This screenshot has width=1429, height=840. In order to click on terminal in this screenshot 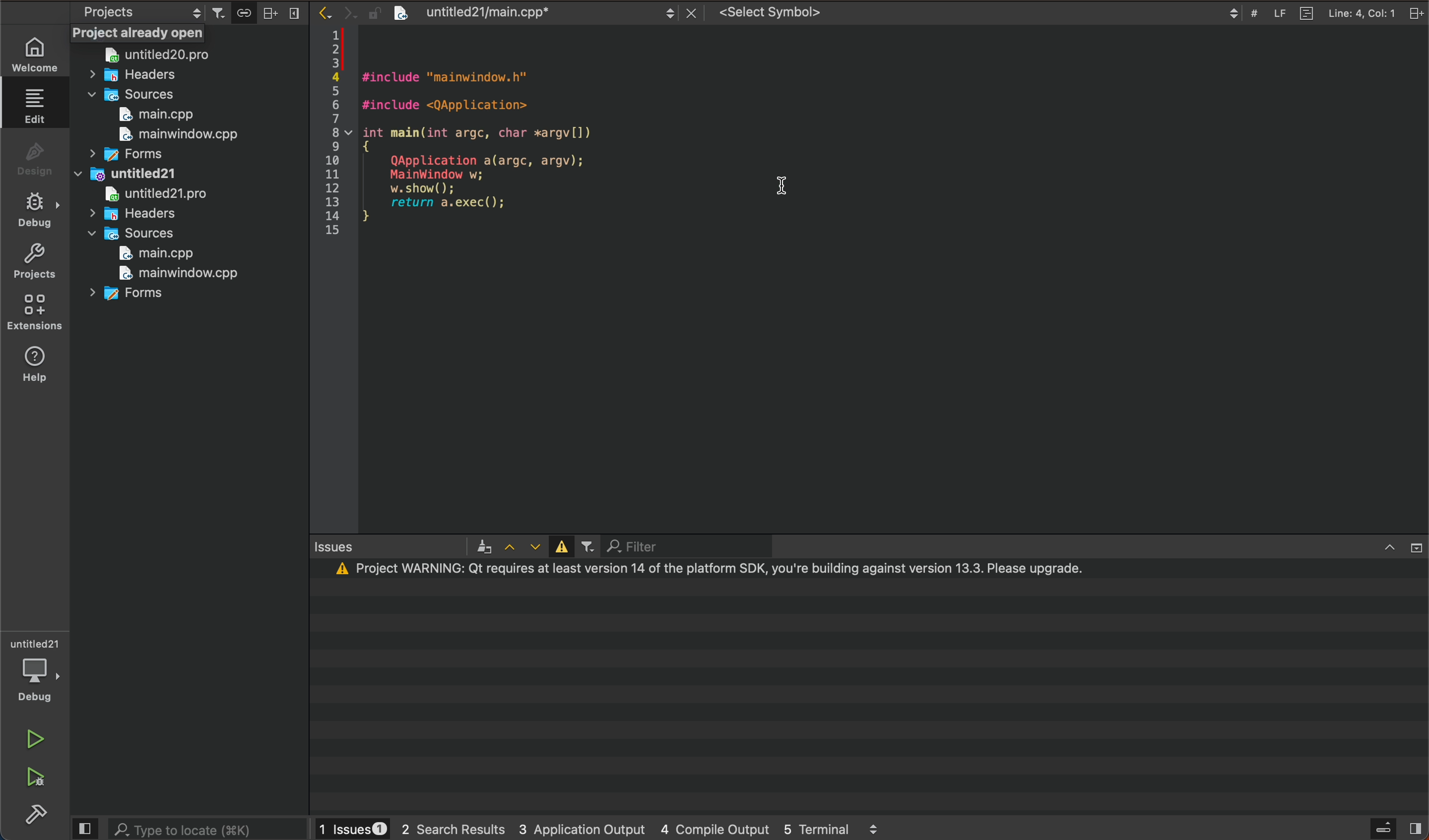, I will do `click(873, 686)`.